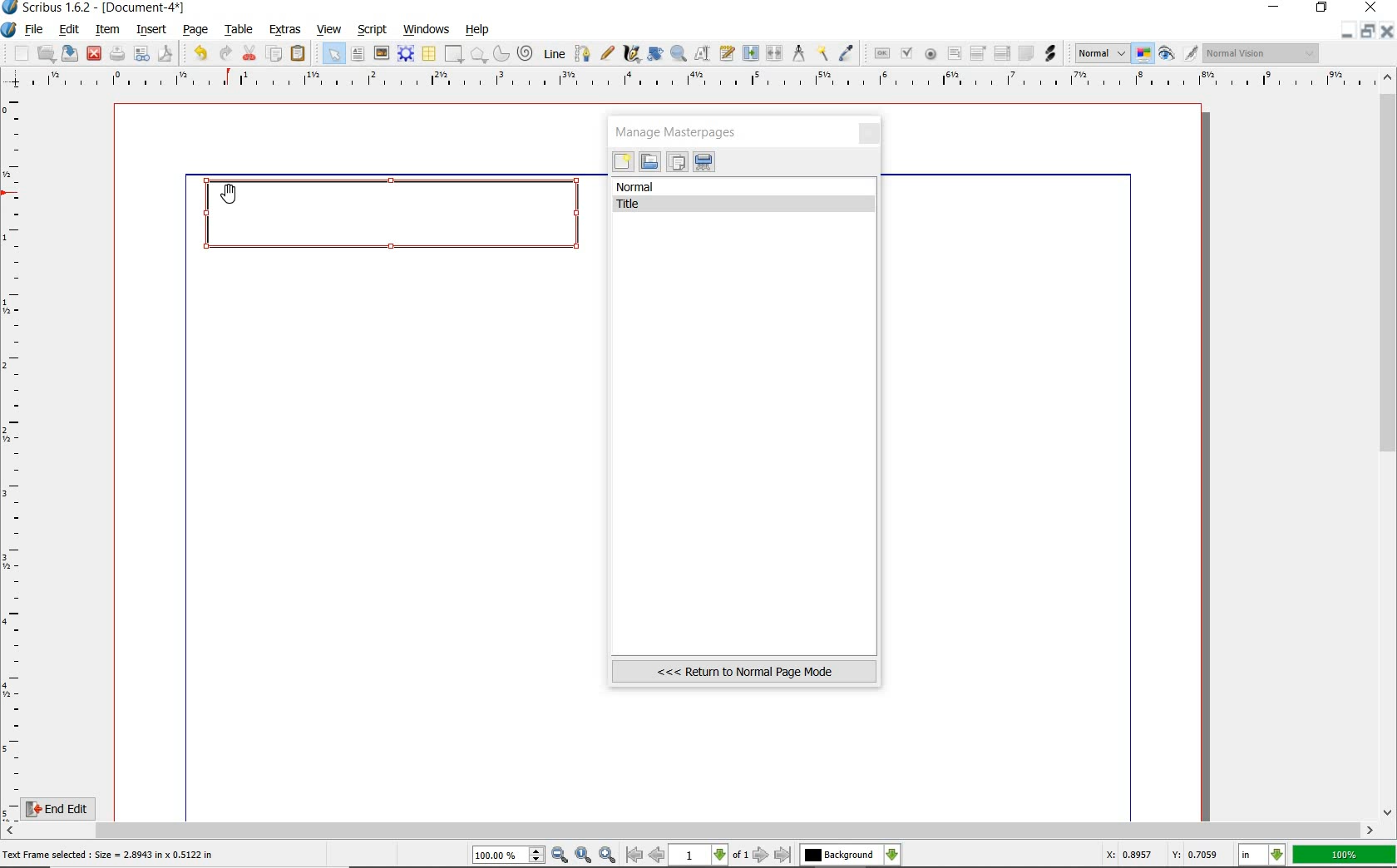 The height and width of the screenshot is (868, 1397). I want to click on link text frames, so click(749, 52).